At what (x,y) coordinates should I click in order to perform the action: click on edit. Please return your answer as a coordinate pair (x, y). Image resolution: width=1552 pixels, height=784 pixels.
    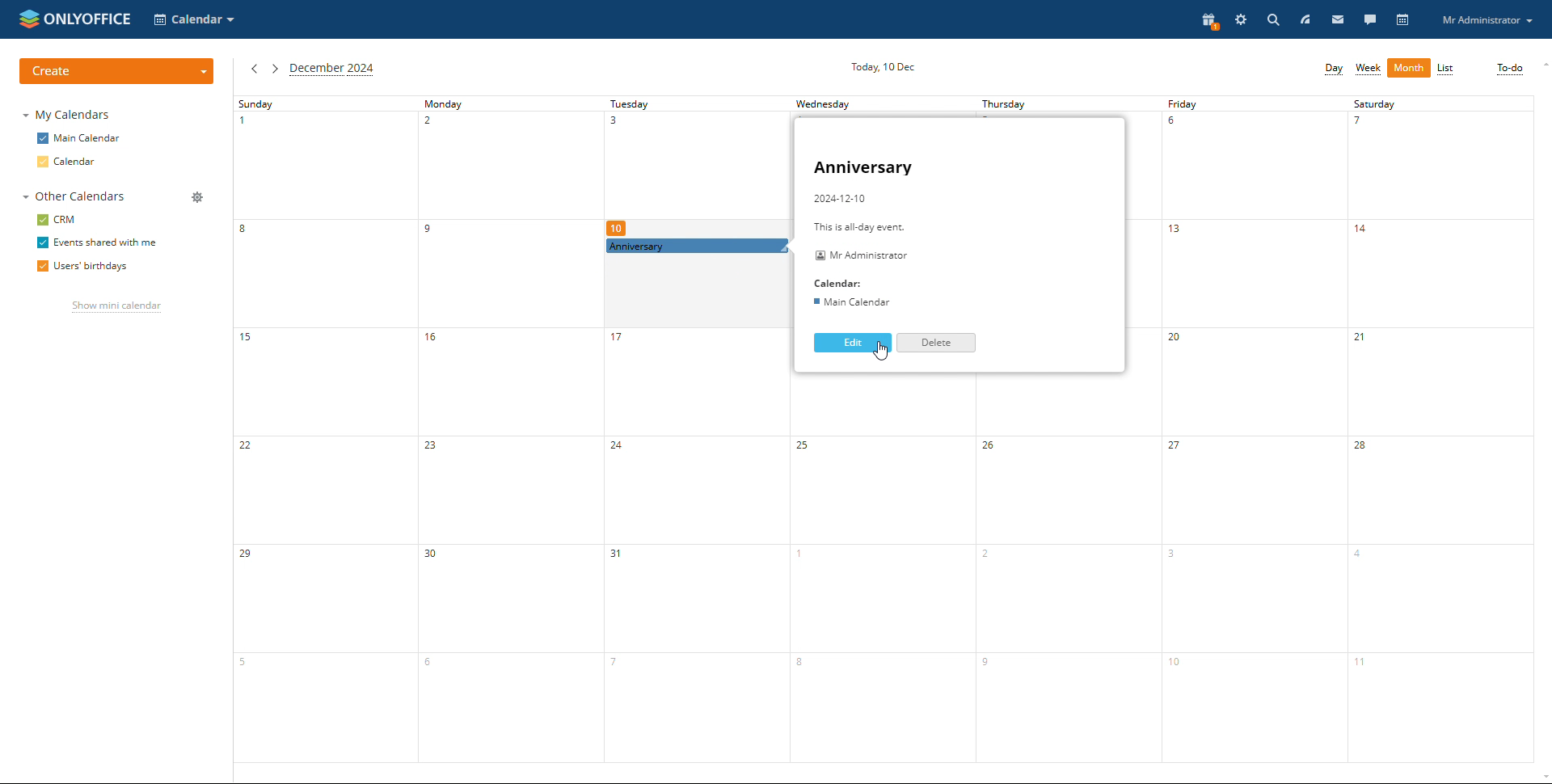
    Looking at the image, I should click on (853, 343).